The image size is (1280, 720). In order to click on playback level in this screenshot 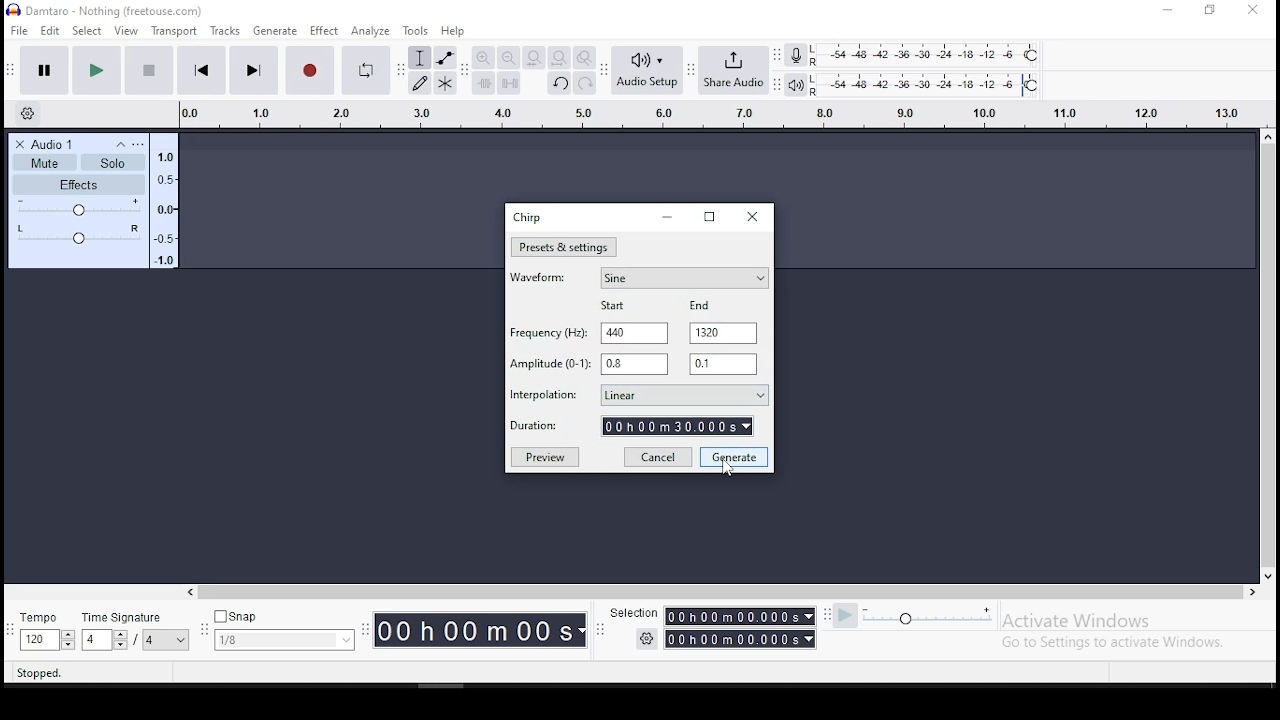, I will do `click(927, 85)`.